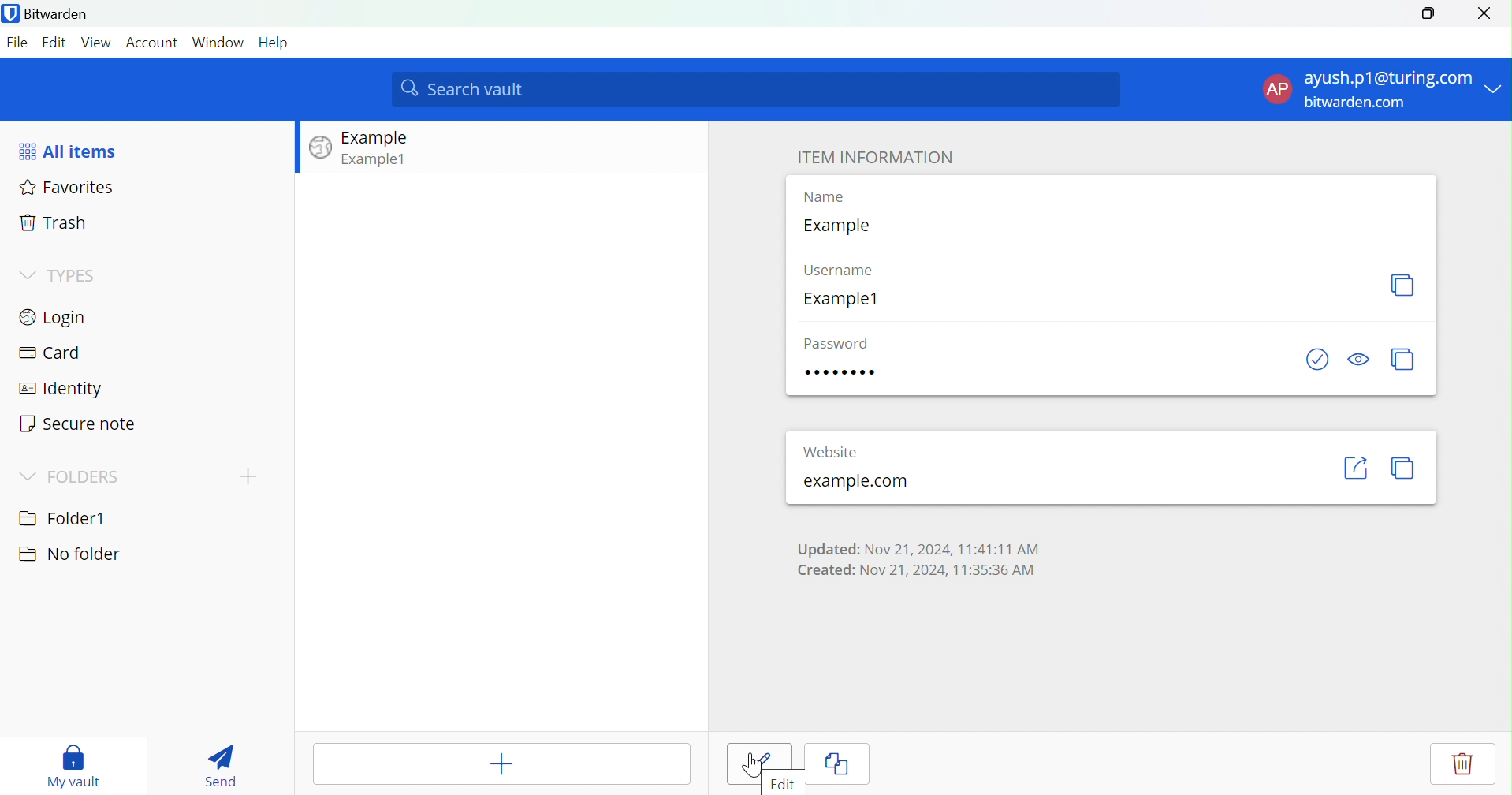 Image resolution: width=1512 pixels, height=795 pixels. Describe the element at coordinates (70, 151) in the screenshot. I see `All items` at that location.